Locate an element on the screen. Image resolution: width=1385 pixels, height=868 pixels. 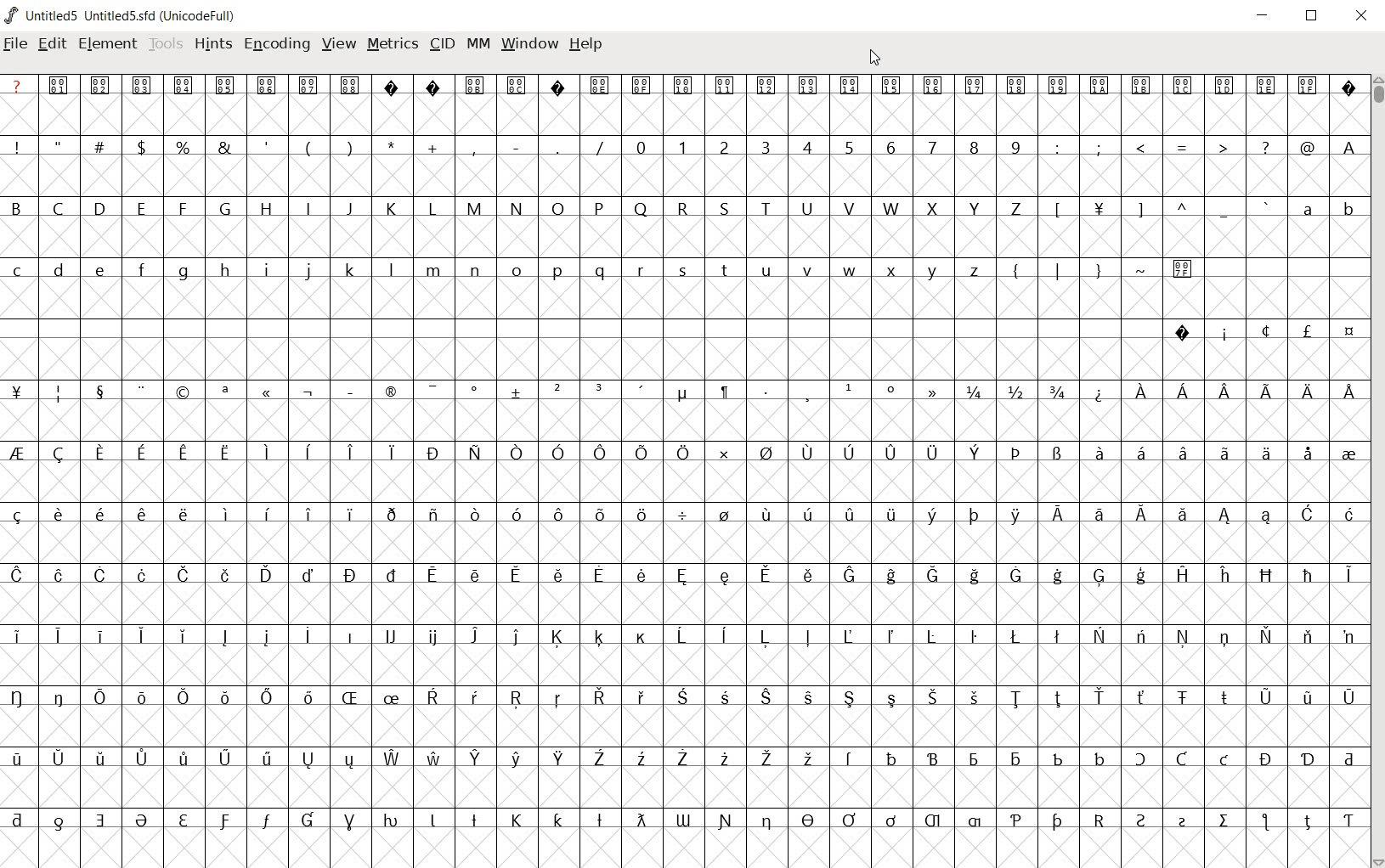
HELP is located at coordinates (585, 46).